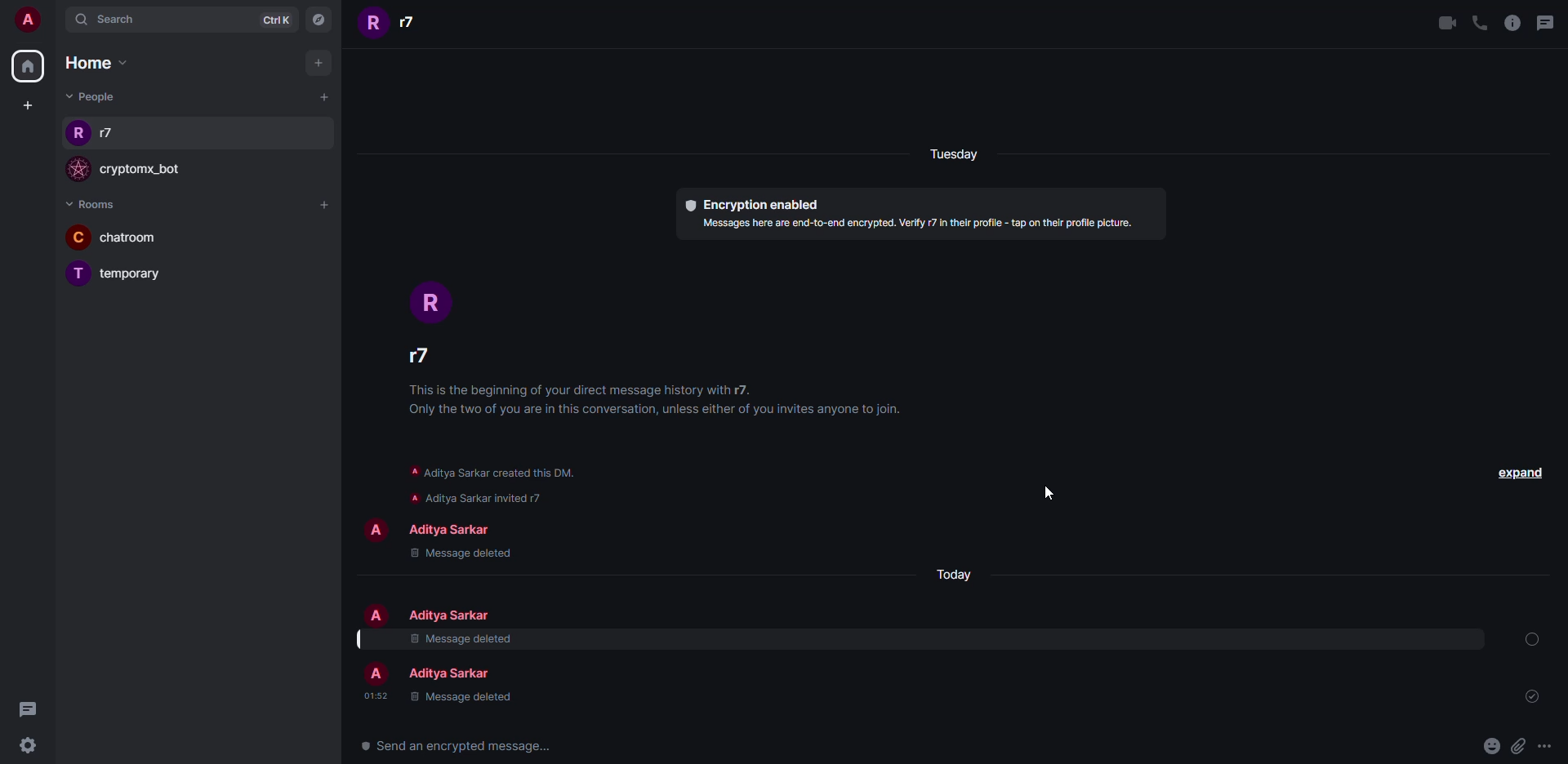 This screenshot has width=1568, height=764. What do you see at coordinates (29, 20) in the screenshot?
I see `account` at bounding box center [29, 20].